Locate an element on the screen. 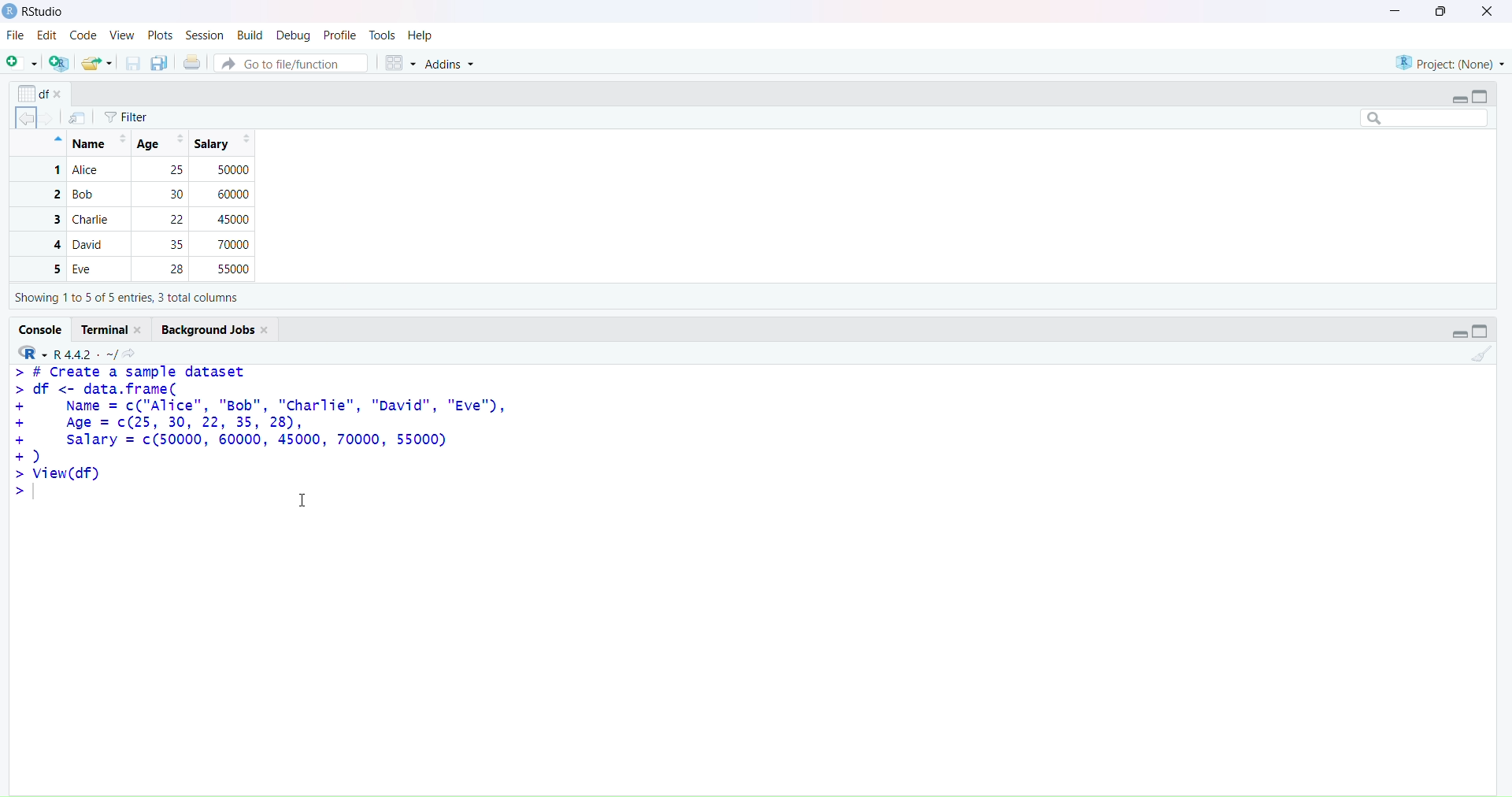 This screenshot has width=1512, height=797. expand is located at coordinates (1452, 333).